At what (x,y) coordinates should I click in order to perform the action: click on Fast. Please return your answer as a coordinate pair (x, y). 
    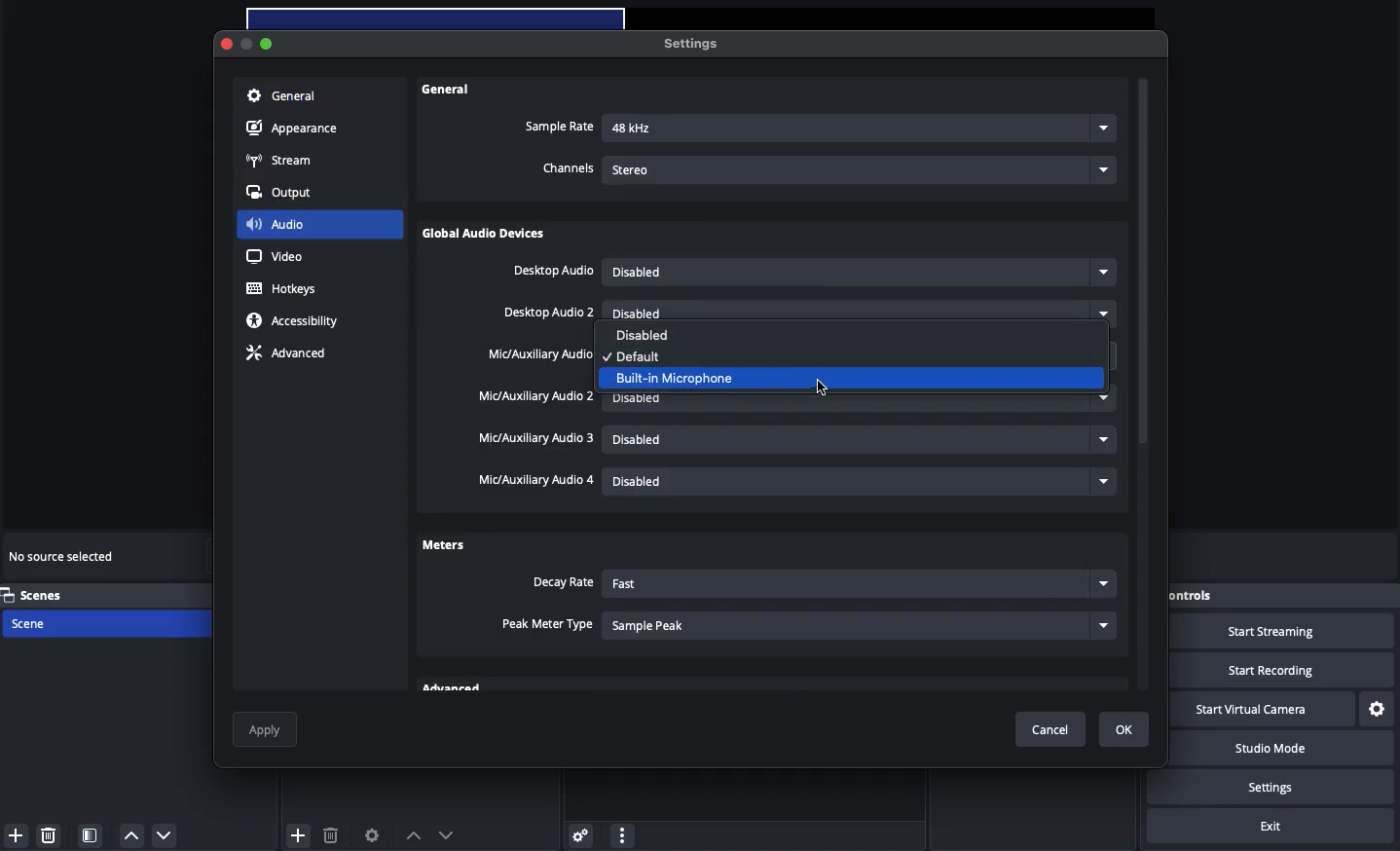
    Looking at the image, I should click on (857, 585).